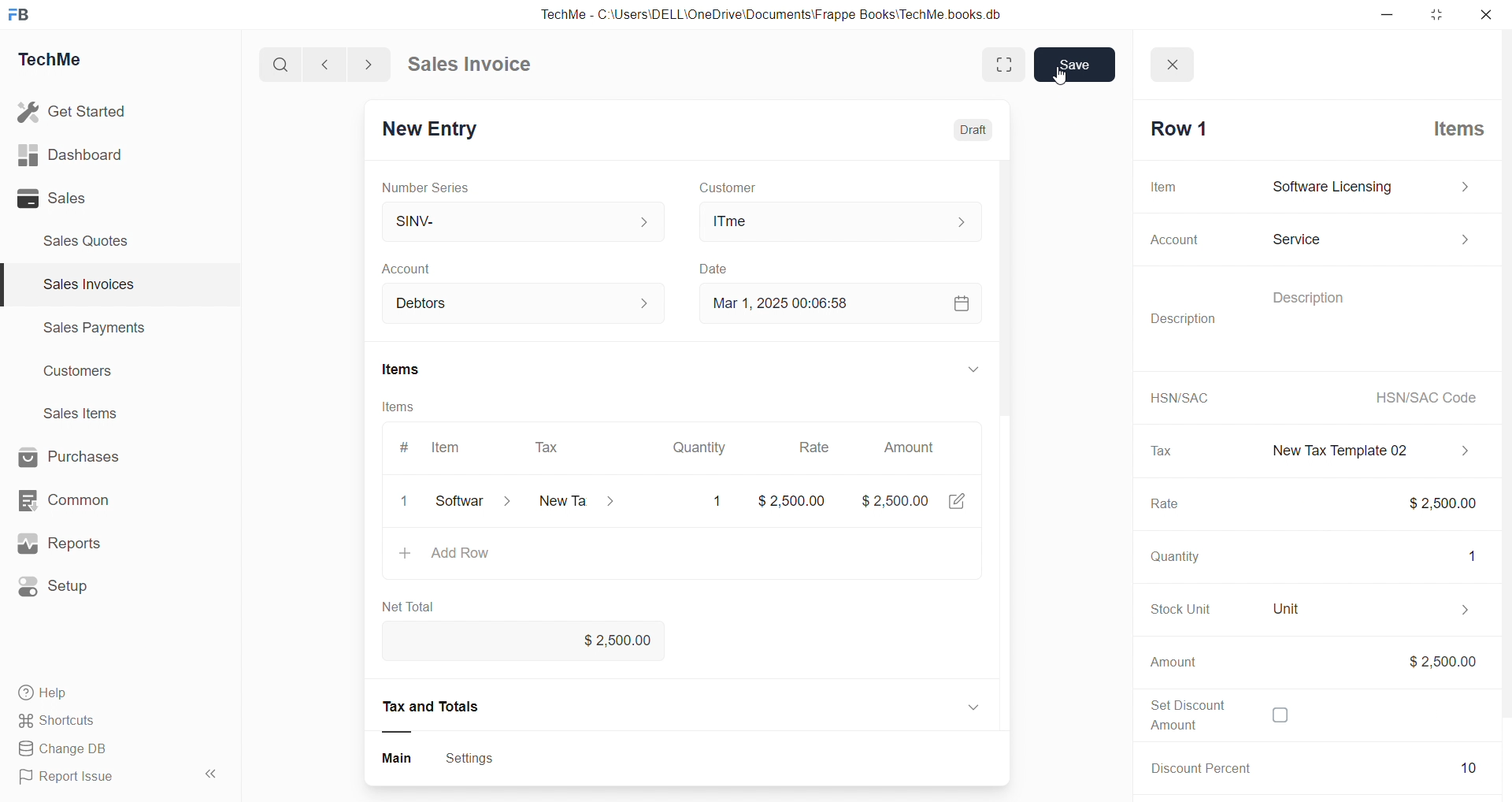 The image size is (1512, 802). I want to click on Calendar, so click(957, 306).